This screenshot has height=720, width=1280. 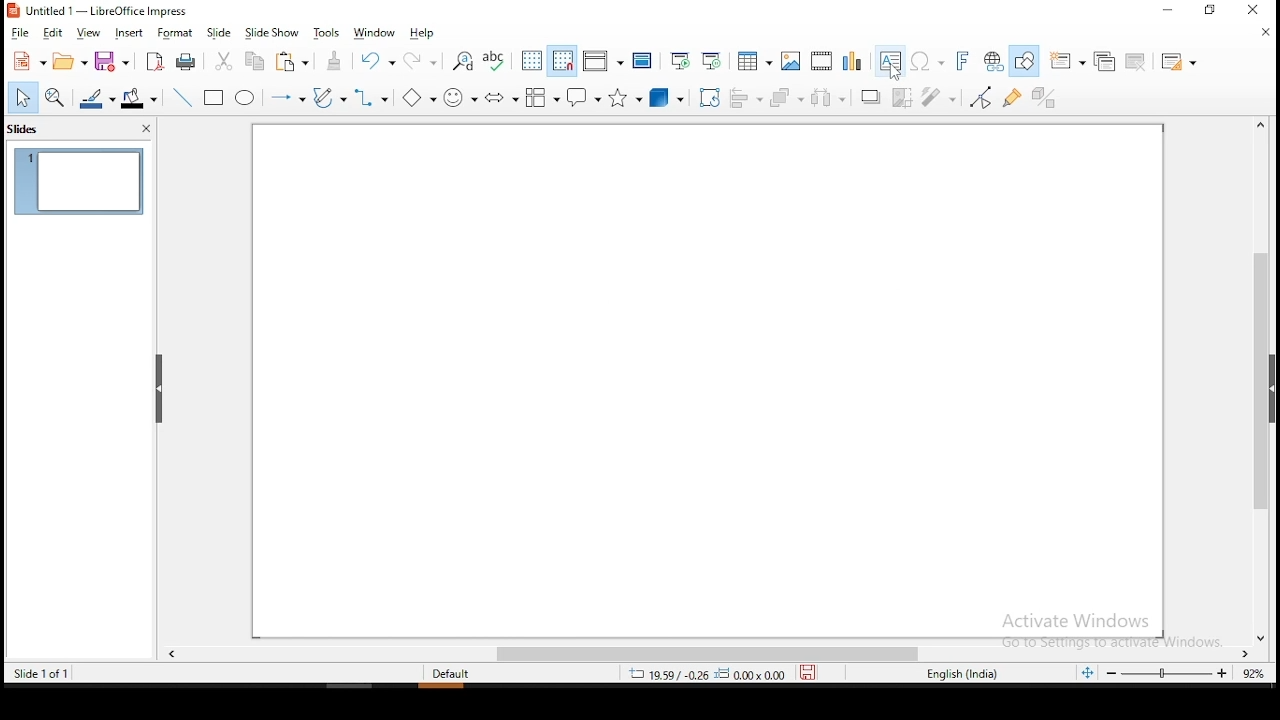 What do you see at coordinates (714, 60) in the screenshot?
I see `start from current slide` at bounding box center [714, 60].